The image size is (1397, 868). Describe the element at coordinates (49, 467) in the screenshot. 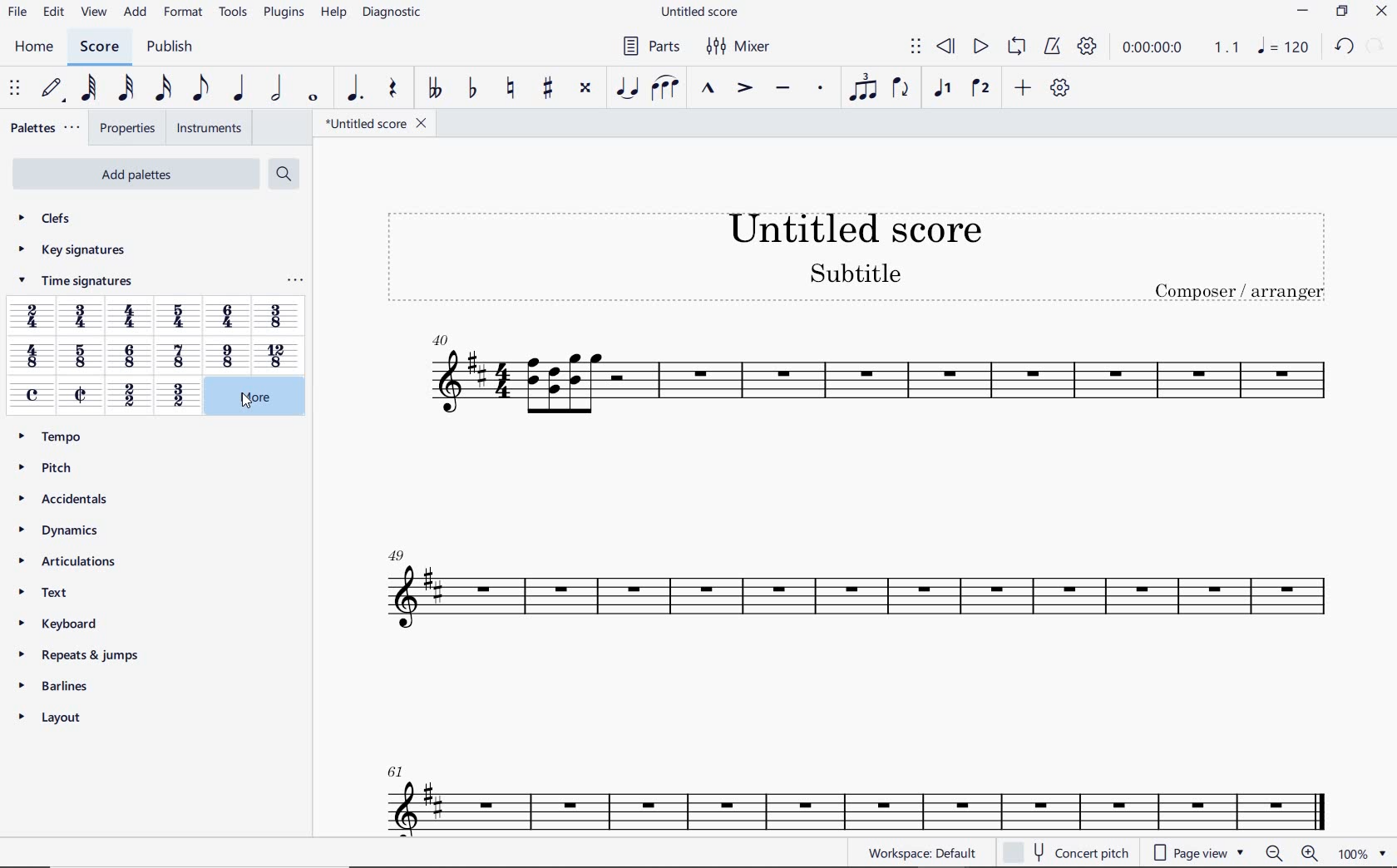

I see `PITCH` at that location.